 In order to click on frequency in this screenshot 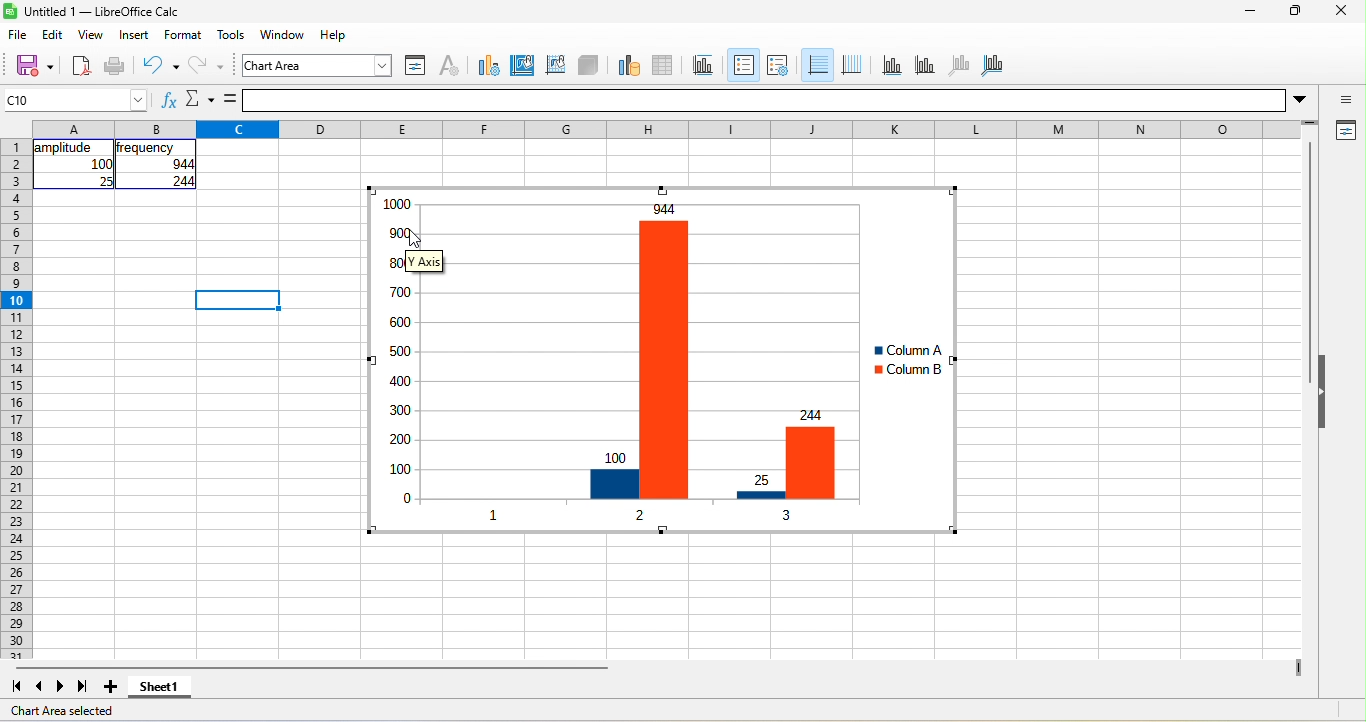, I will do `click(147, 148)`.